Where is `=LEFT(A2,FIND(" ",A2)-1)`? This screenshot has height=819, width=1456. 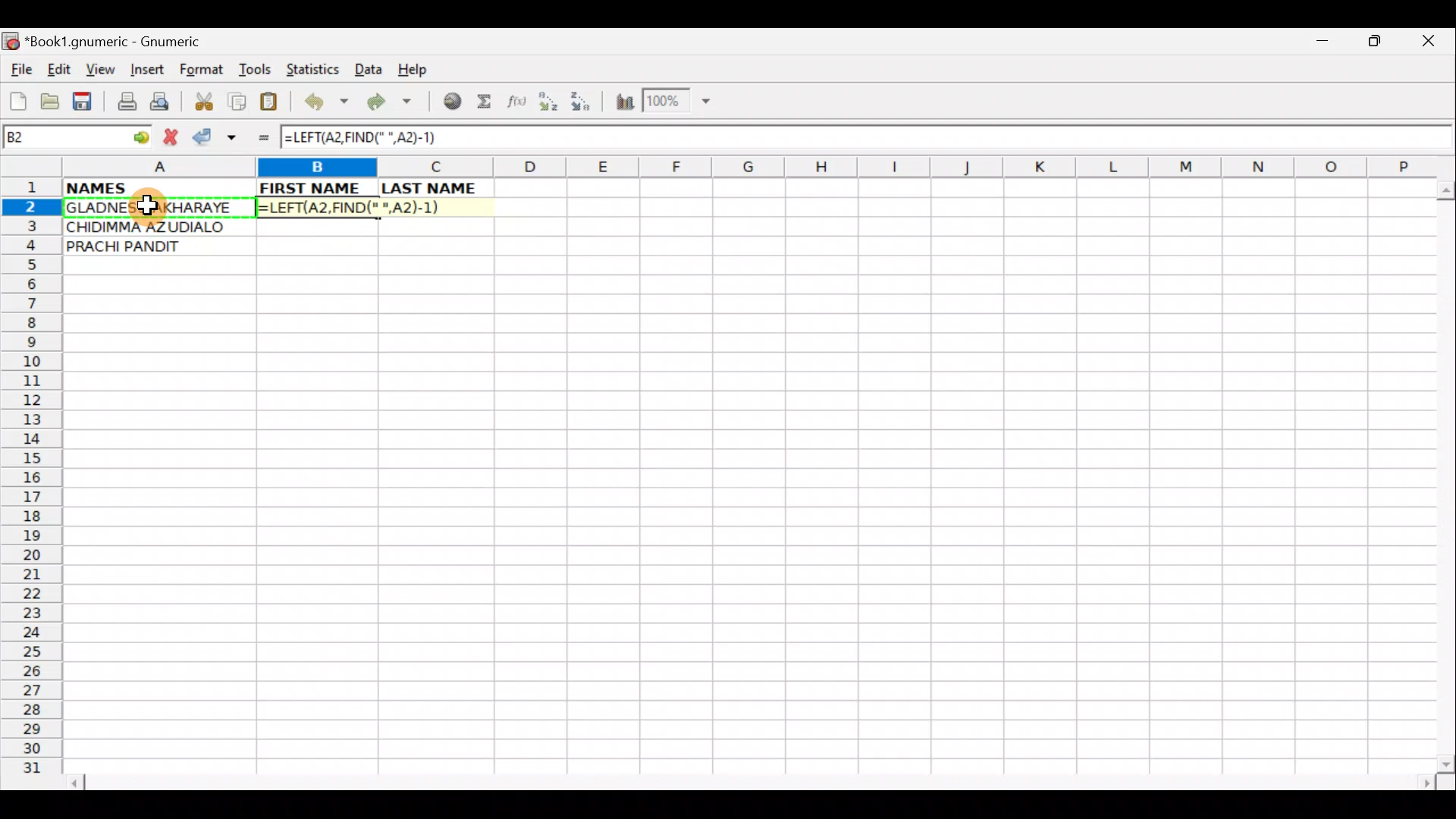 =LEFT(A2,FIND(" ",A2)-1) is located at coordinates (358, 137).